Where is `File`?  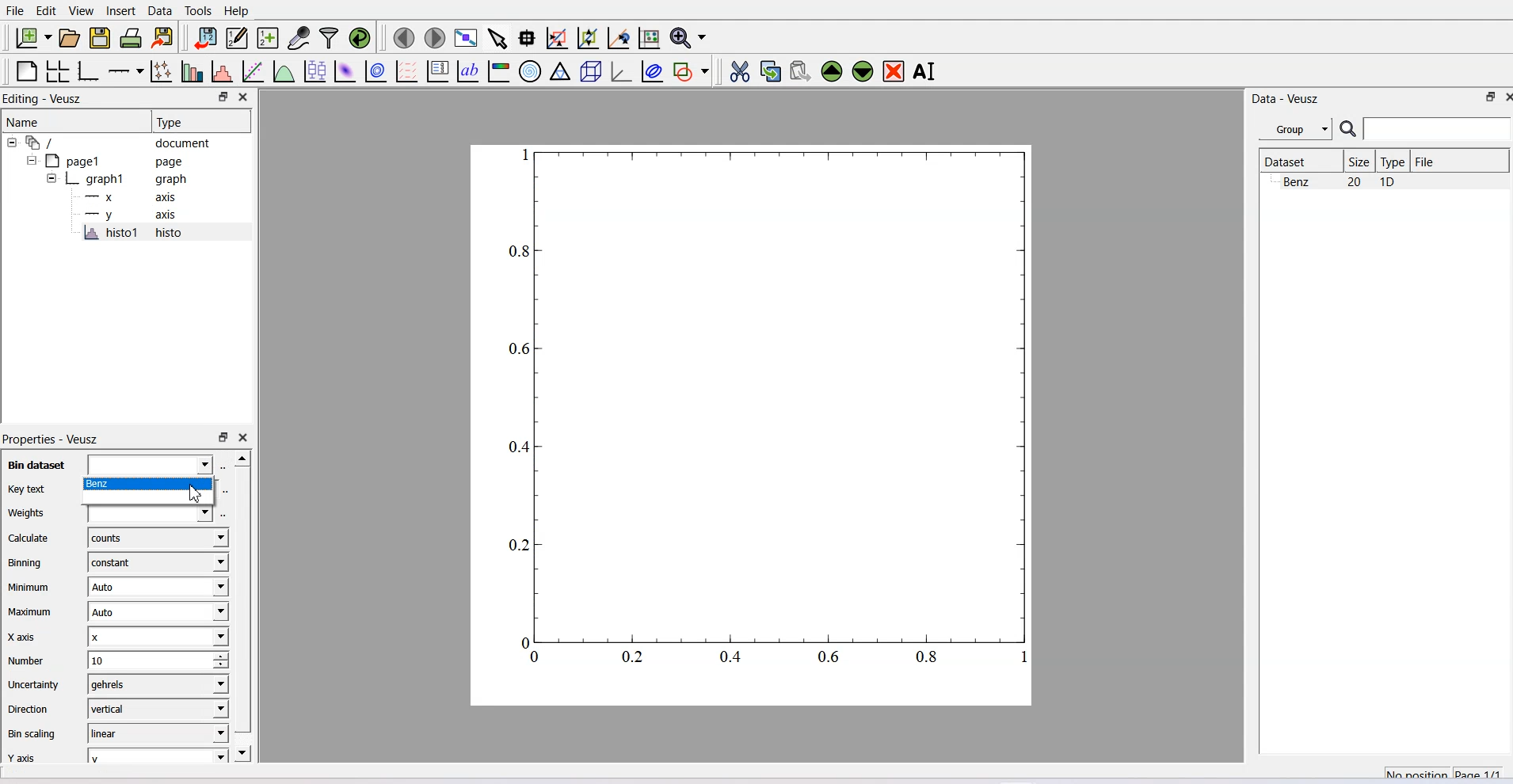 File is located at coordinates (15, 10).